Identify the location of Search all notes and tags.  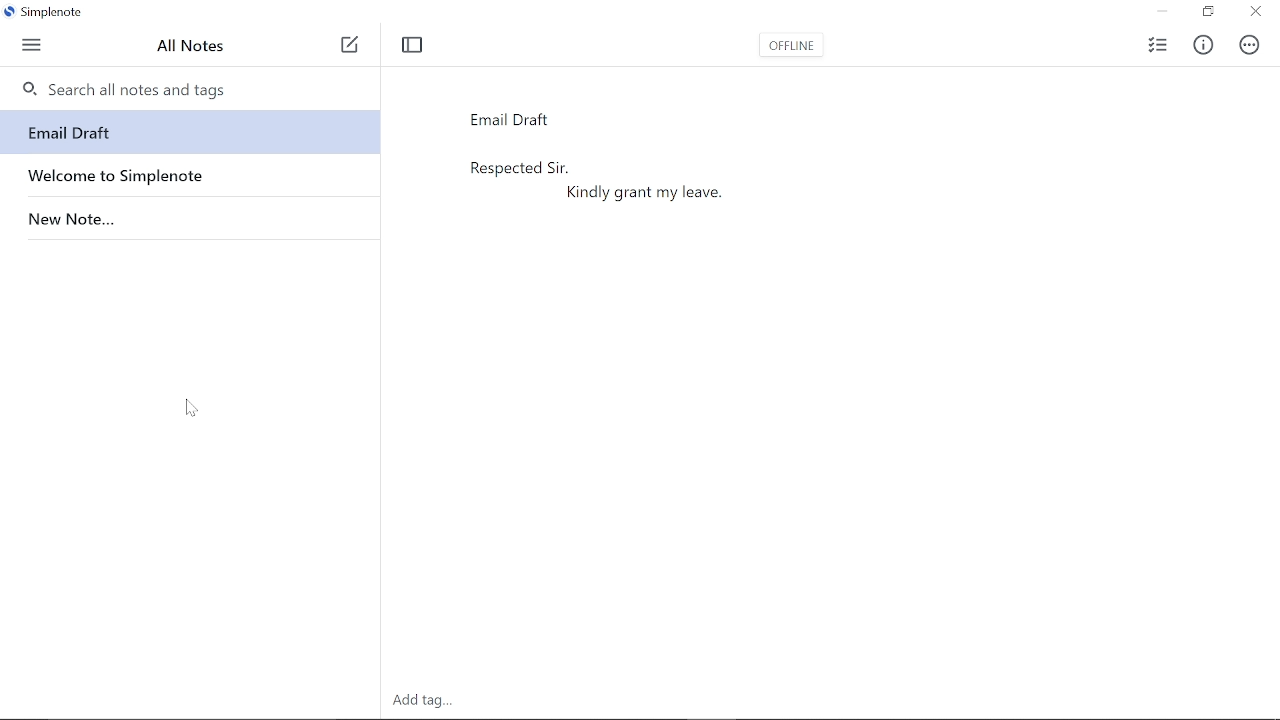
(188, 86).